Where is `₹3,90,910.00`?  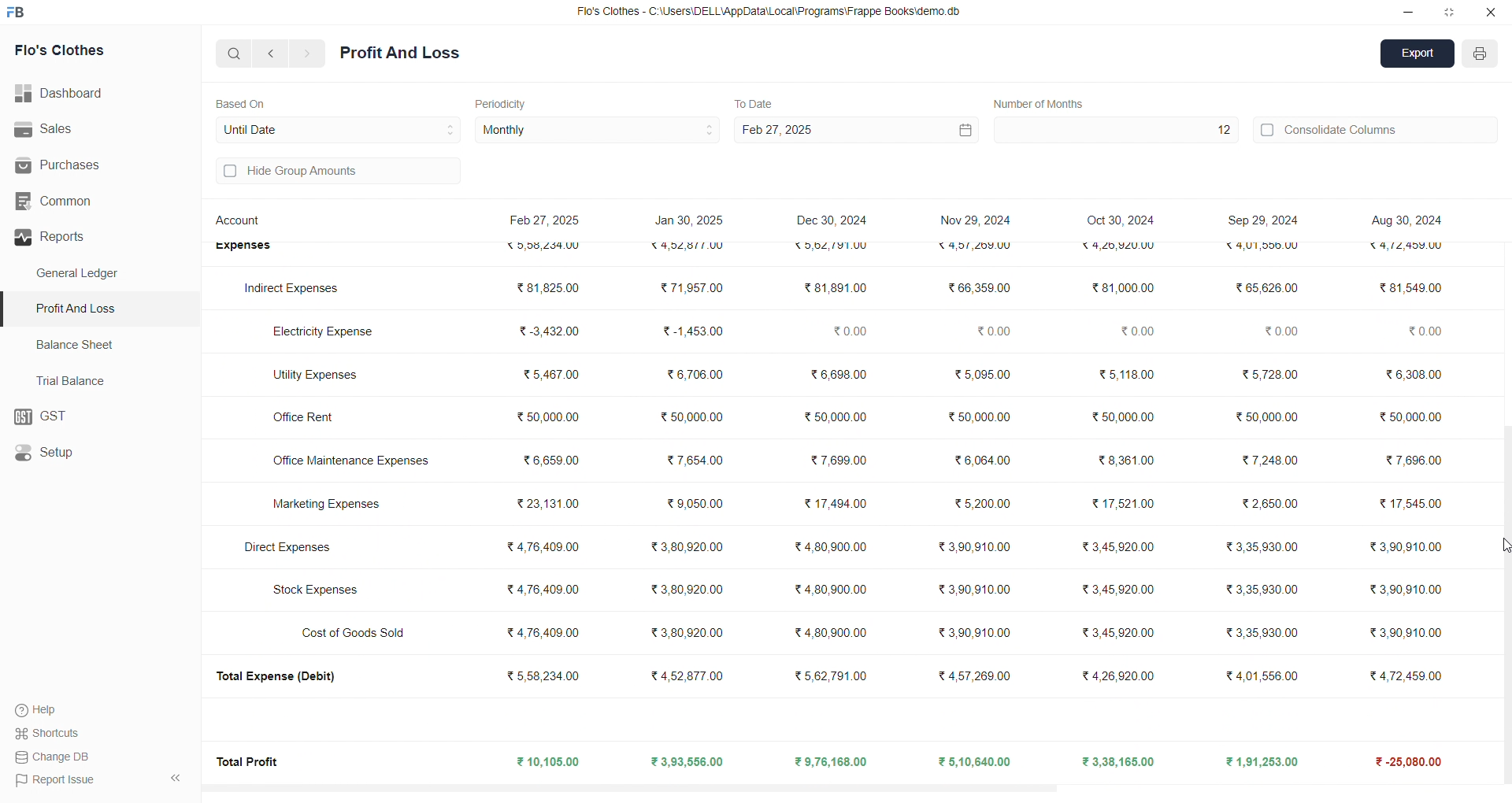
₹3,90,910.00 is located at coordinates (1403, 633).